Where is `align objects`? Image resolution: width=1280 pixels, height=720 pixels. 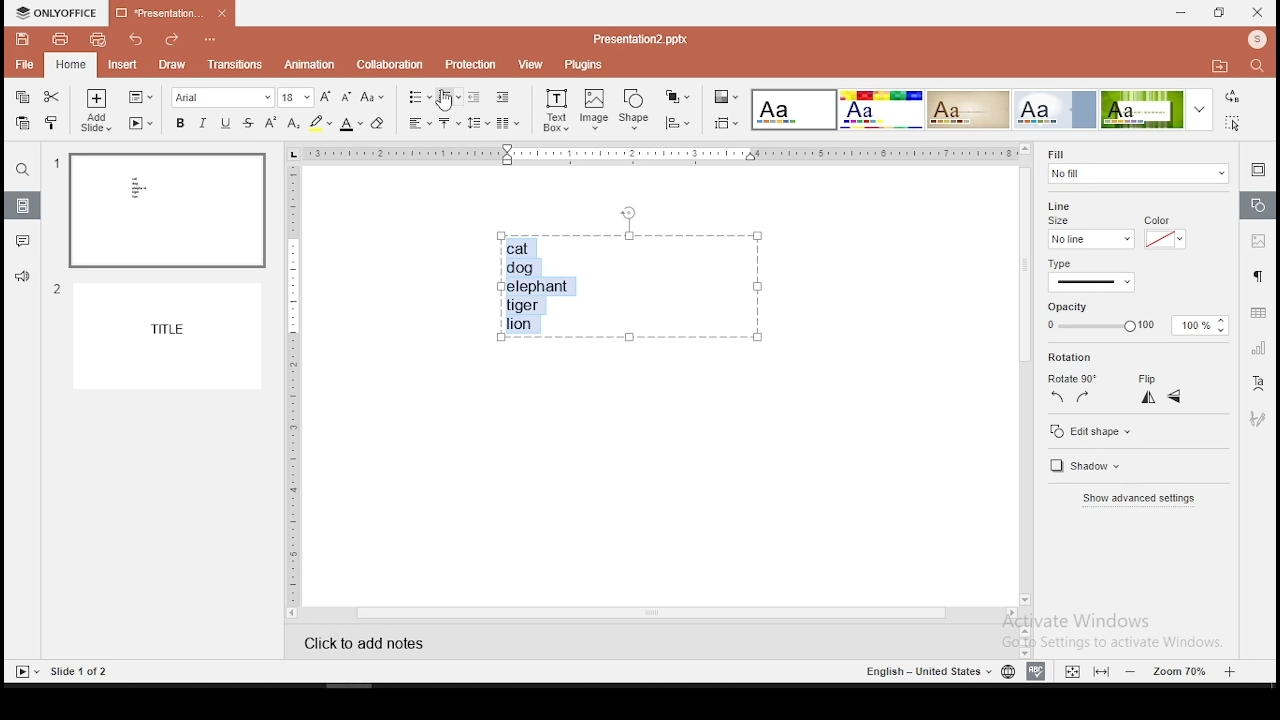
align objects is located at coordinates (725, 123).